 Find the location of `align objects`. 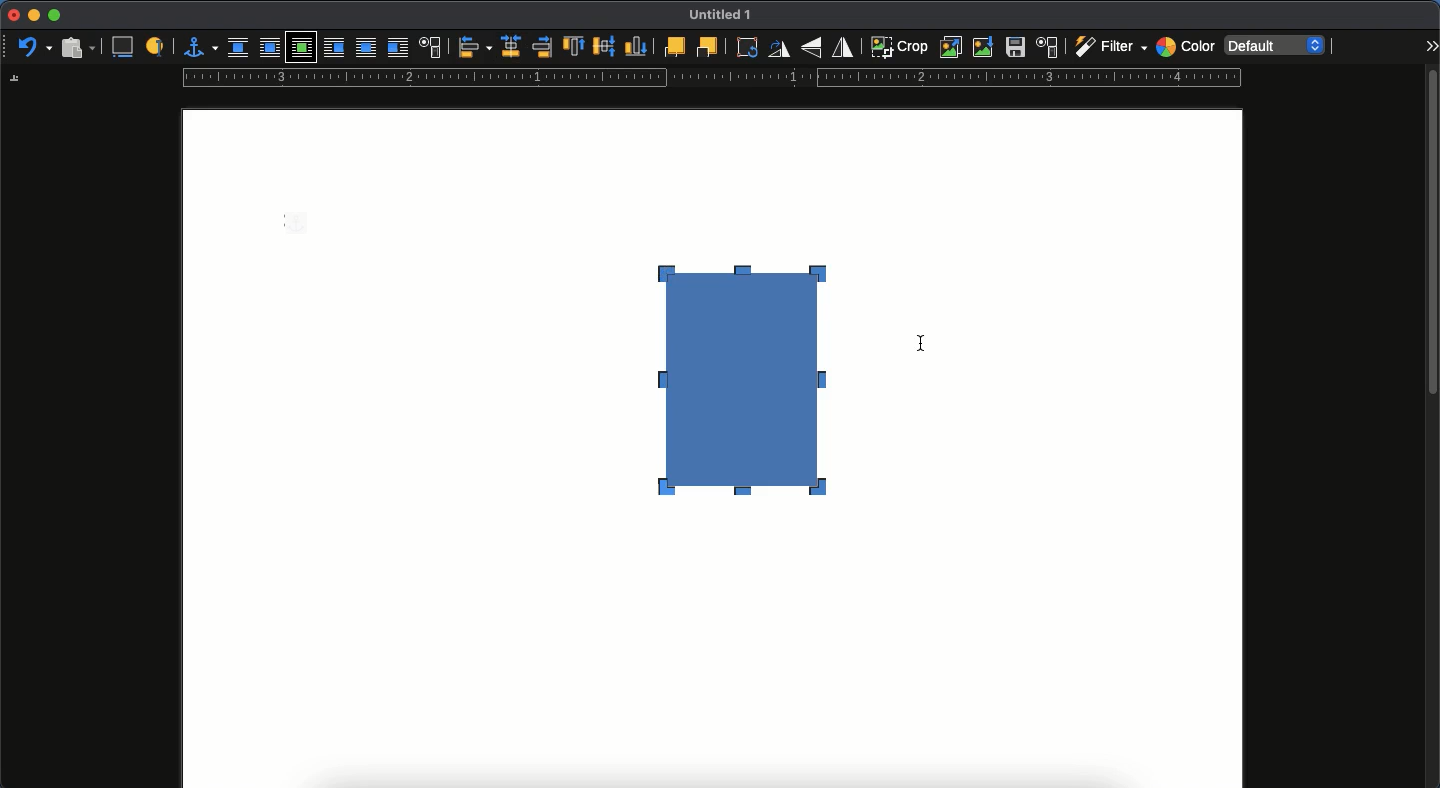

align objects is located at coordinates (475, 47).